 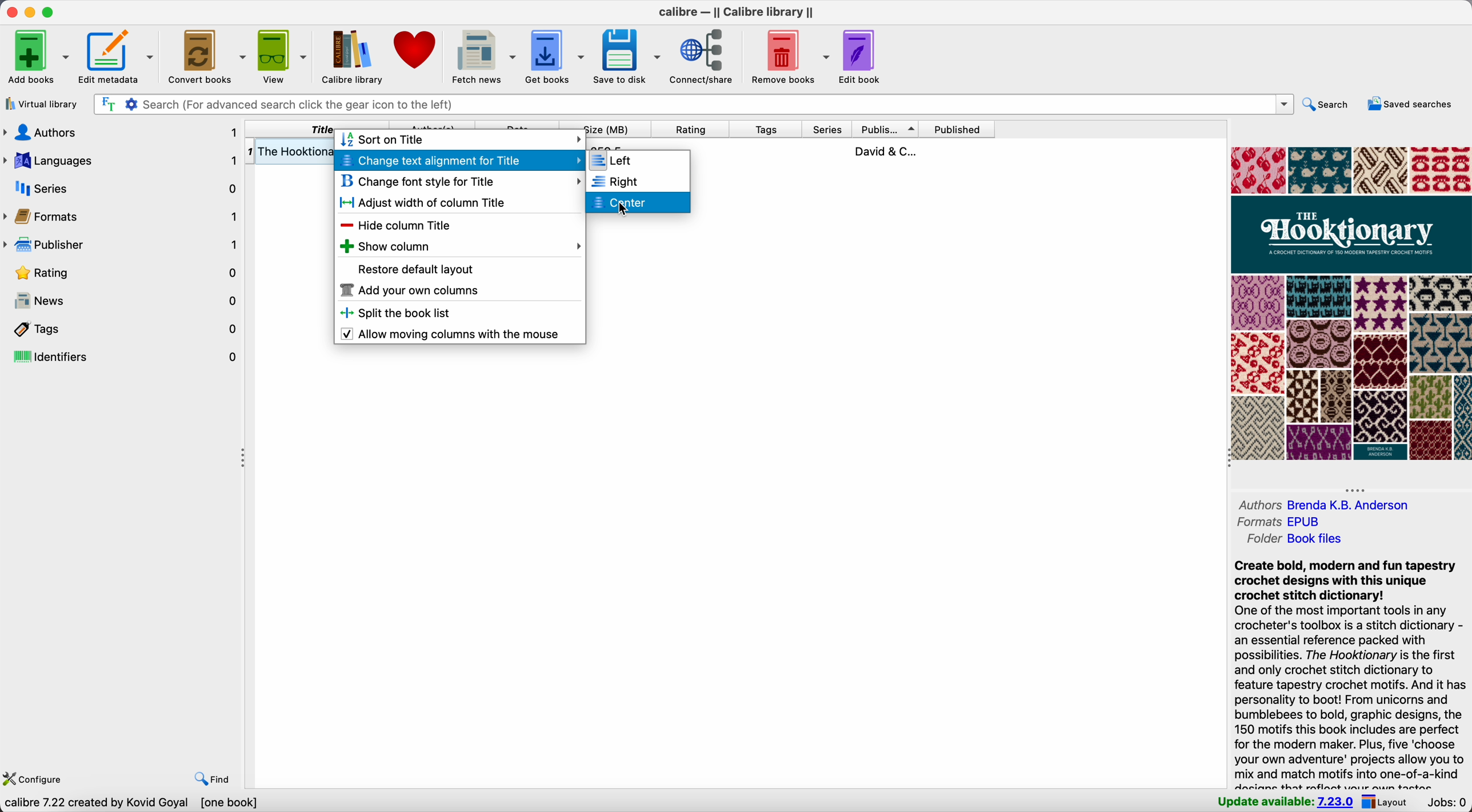 What do you see at coordinates (1413, 103) in the screenshot?
I see `saved searches` at bounding box center [1413, 103].